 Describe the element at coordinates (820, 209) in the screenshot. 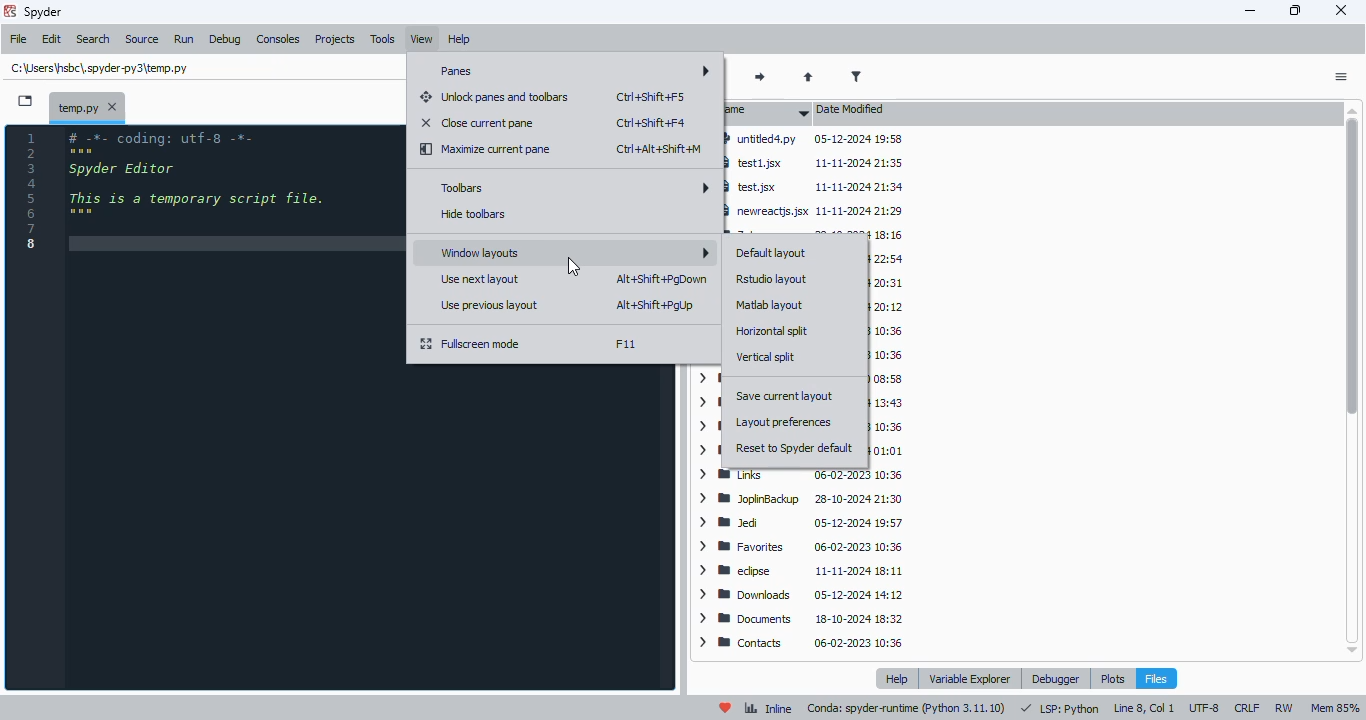

I see `newreactjs.jsx` at that location.